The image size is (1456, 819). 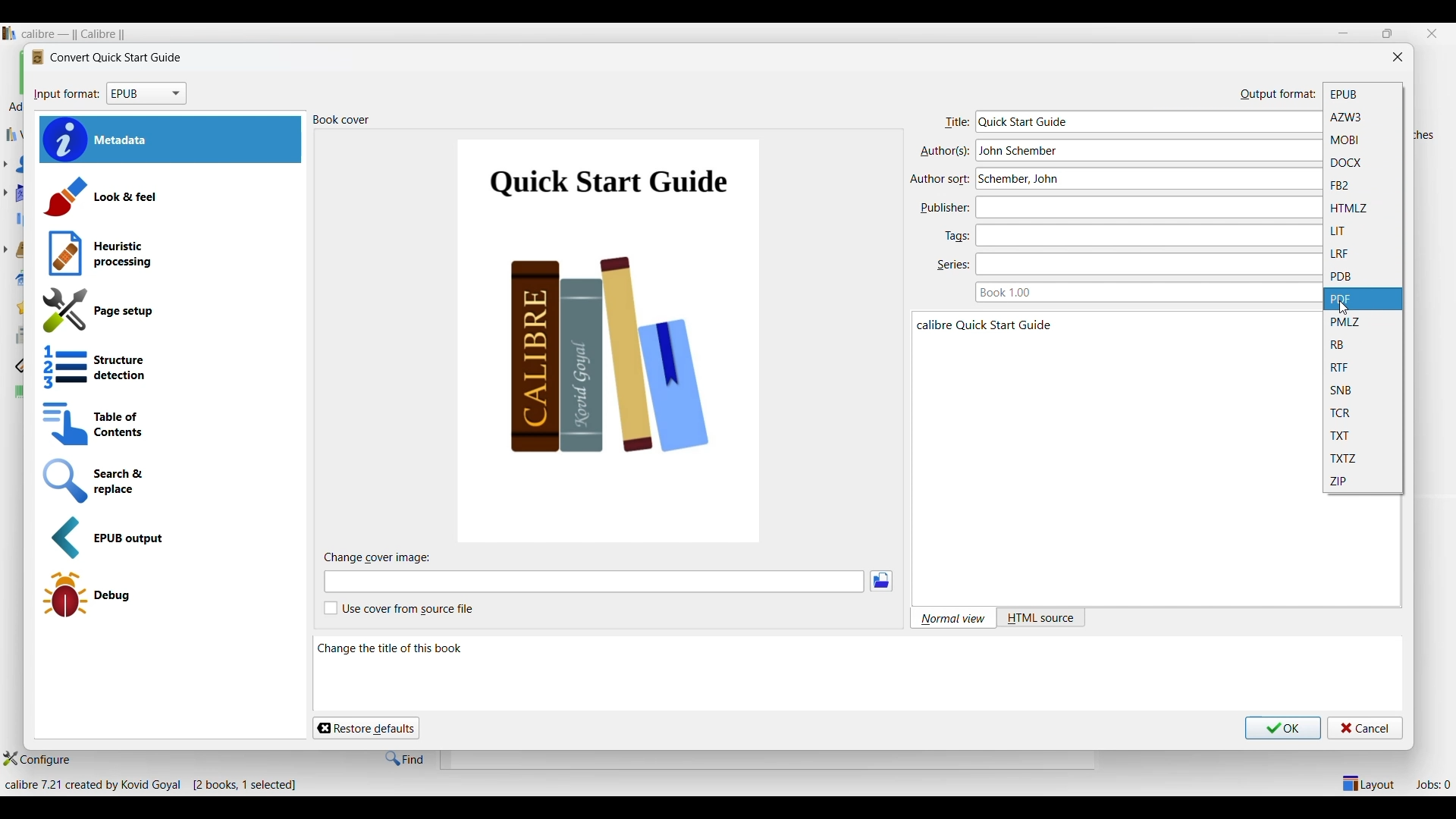 I want to click on Type in author, so click(x=1112, y=179).